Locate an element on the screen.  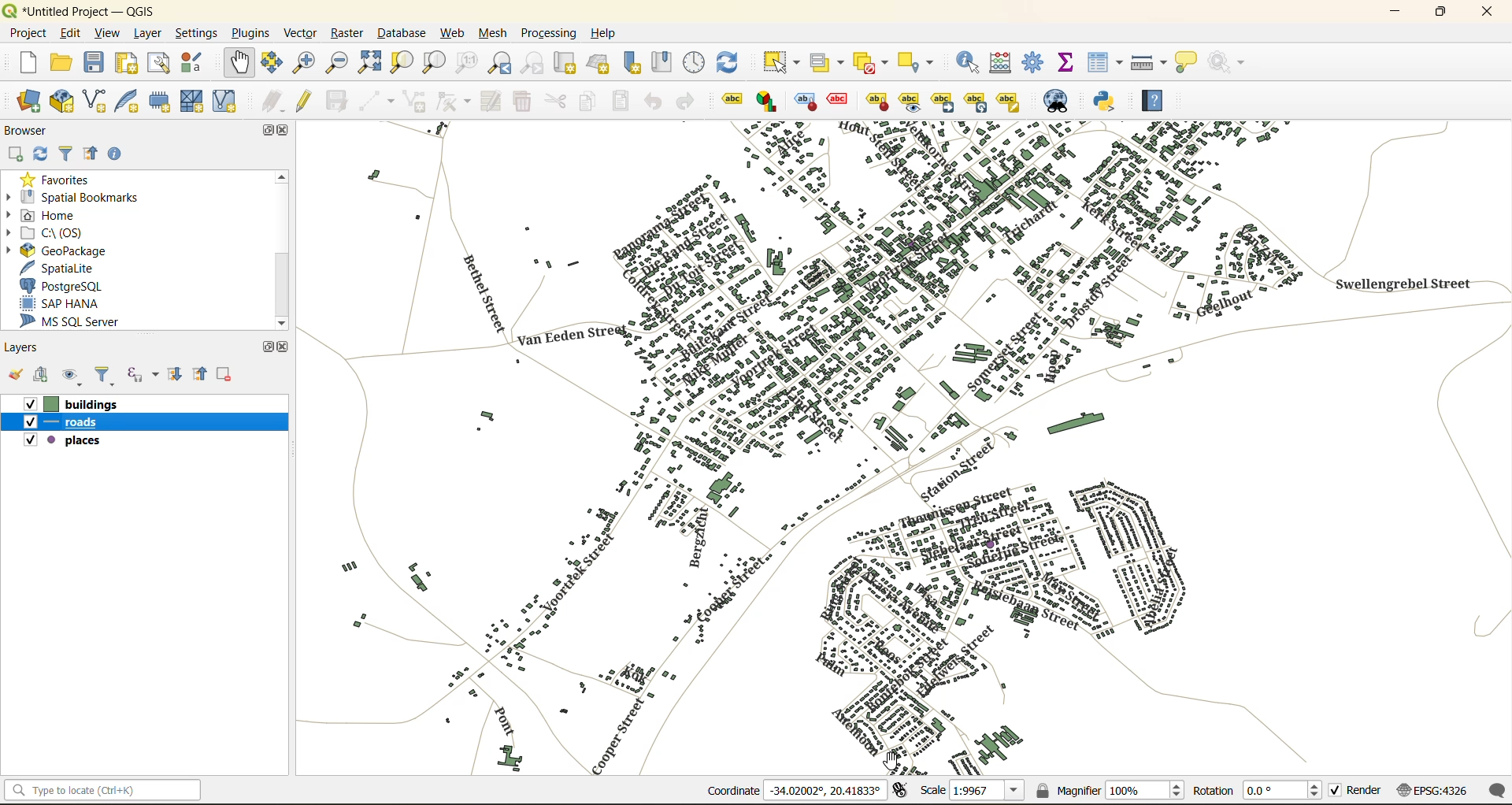
project is located at coordinates (28, 35).